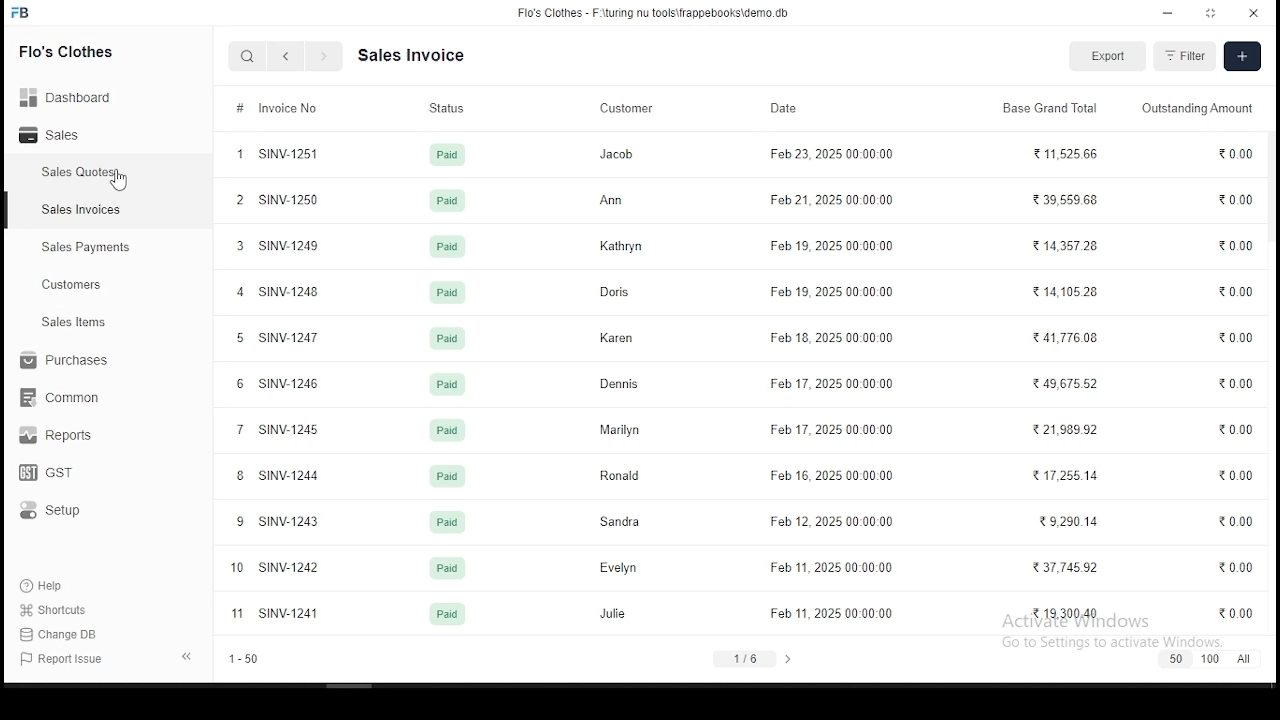 The width and height of the screenshot is (1280, 720). I want to click on Ronald, so click(623, 478).